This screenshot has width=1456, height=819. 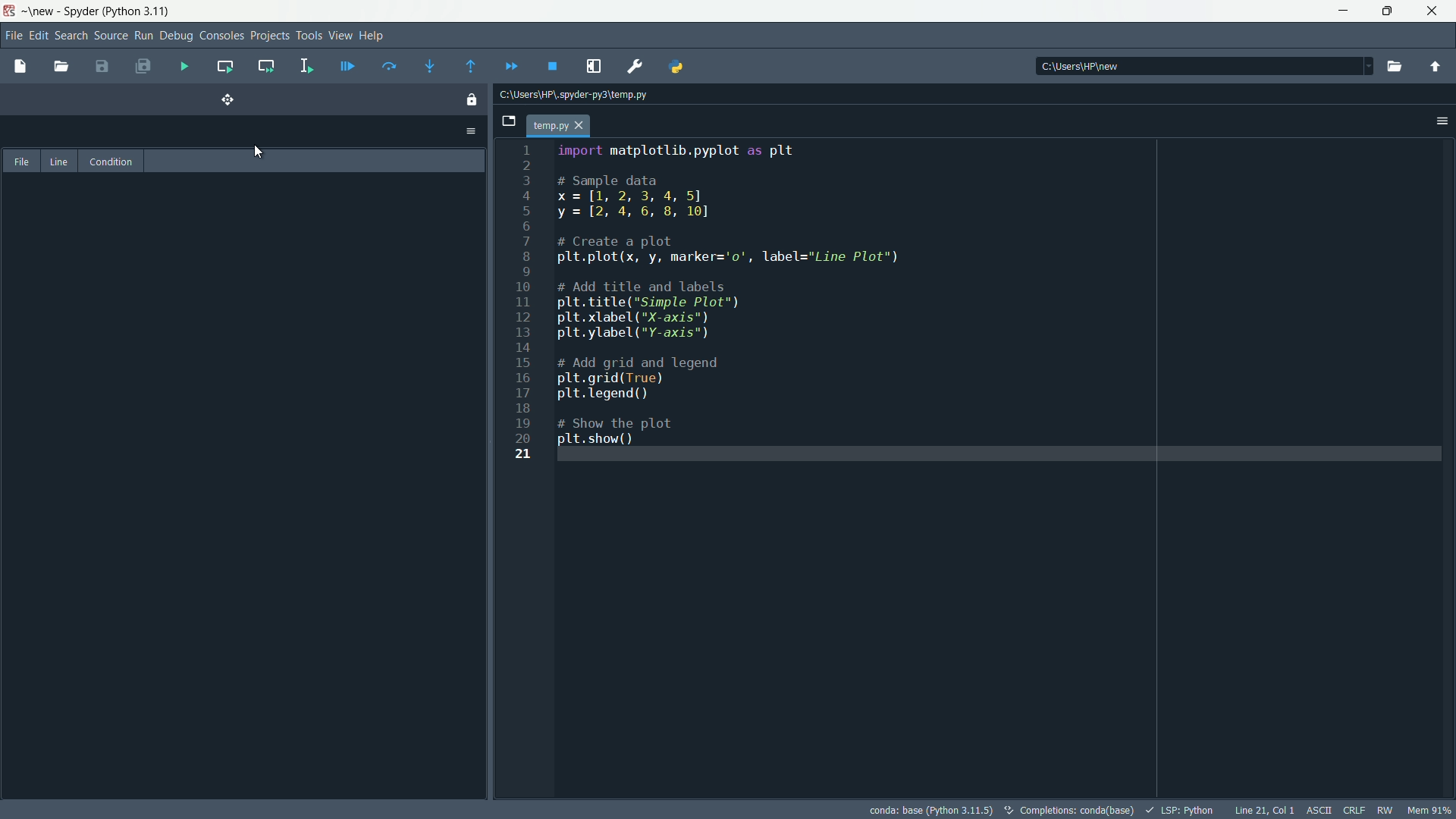 What do you see at coordinates (40, 34) in the screenshot?
I see `edit menu` at bounding box center [40, 34].